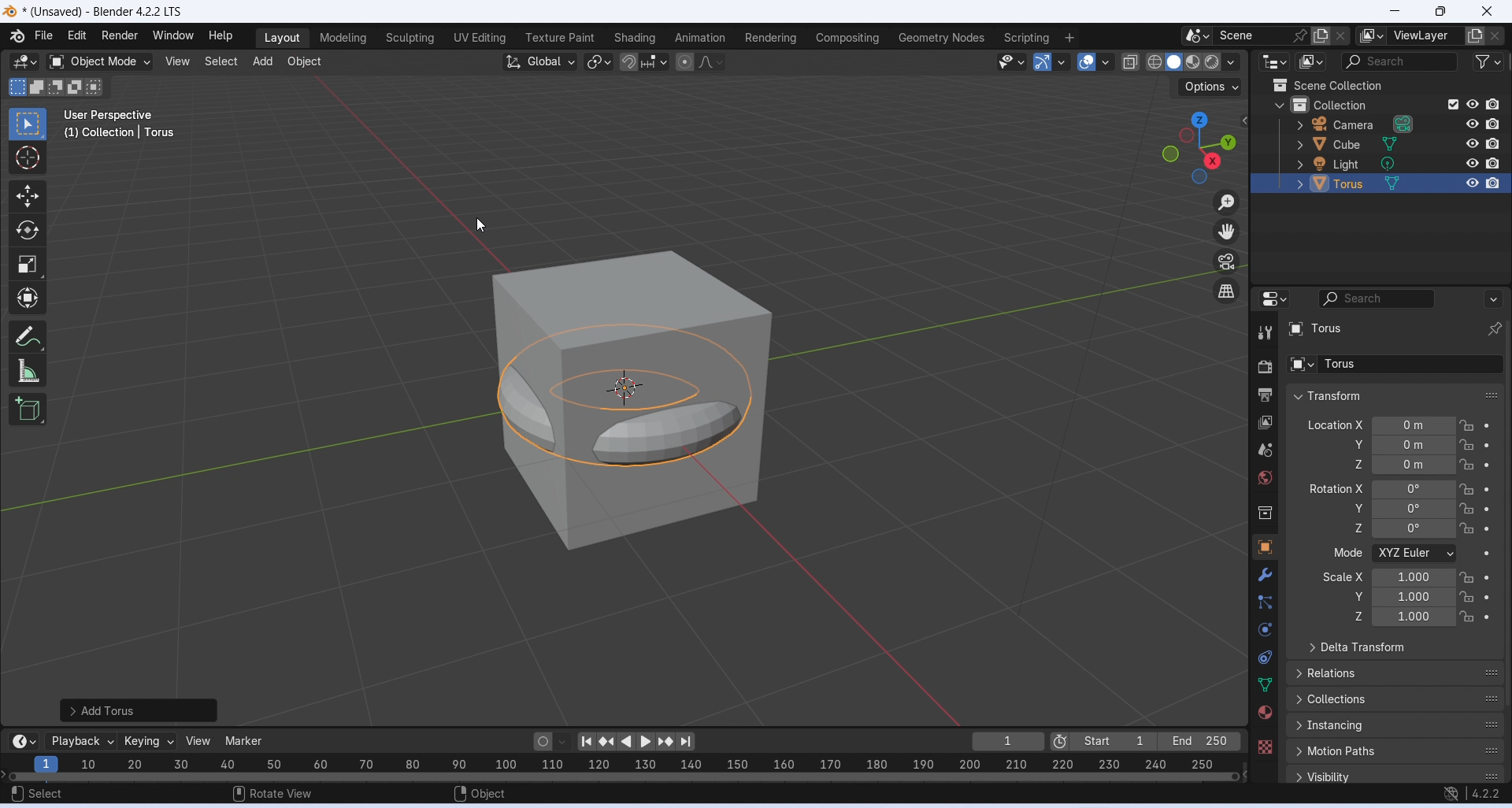 The height and width of the screenshot is (808, 1512). What do you see at coordinates (1227, 261) in the screenshot?
I see `Toggle the camera view` at bounding box center [1227, 261].